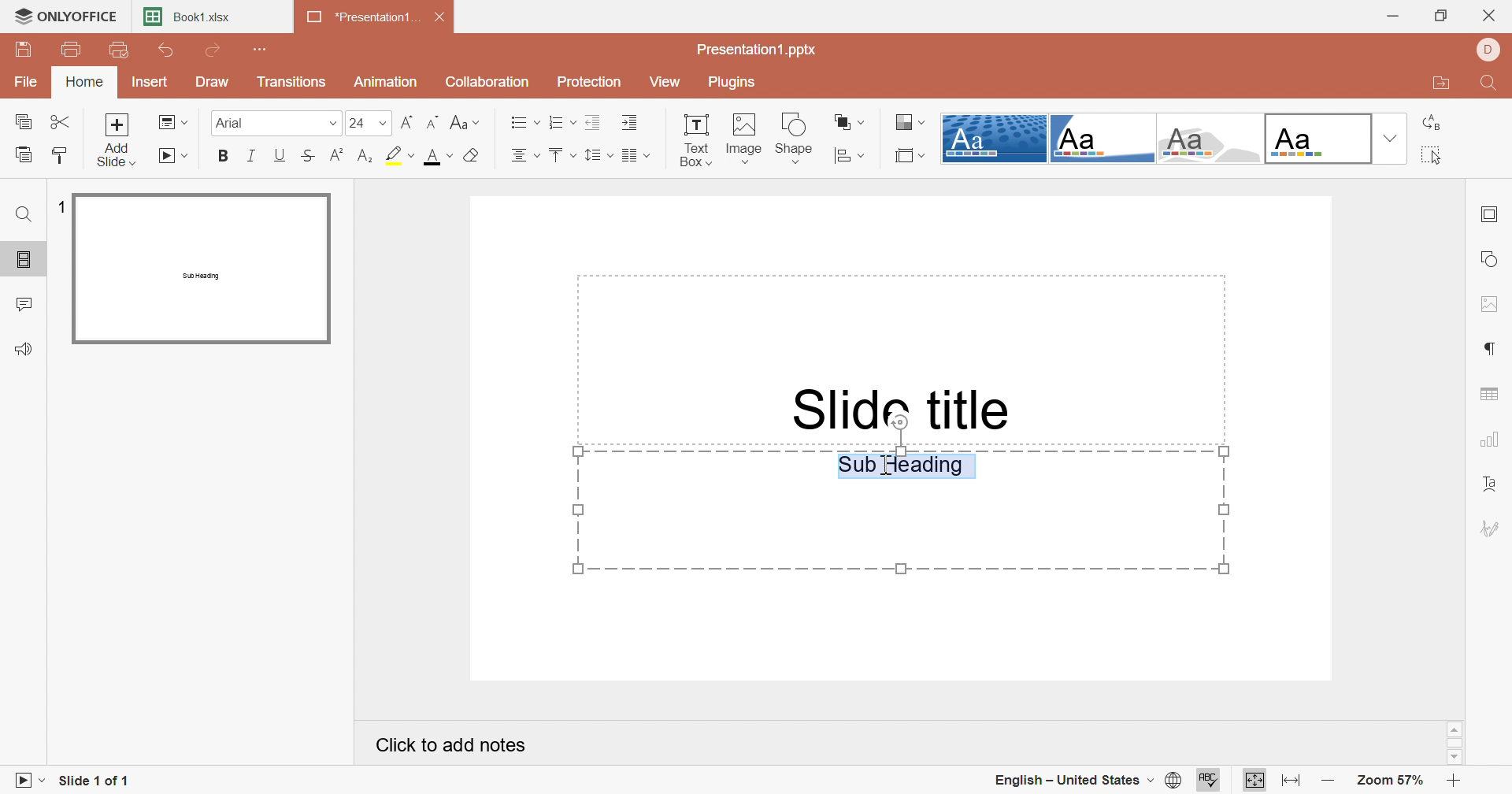  Describe the element at coordinates (850, 155) in the screenshot. I see `Align shape` at that location.